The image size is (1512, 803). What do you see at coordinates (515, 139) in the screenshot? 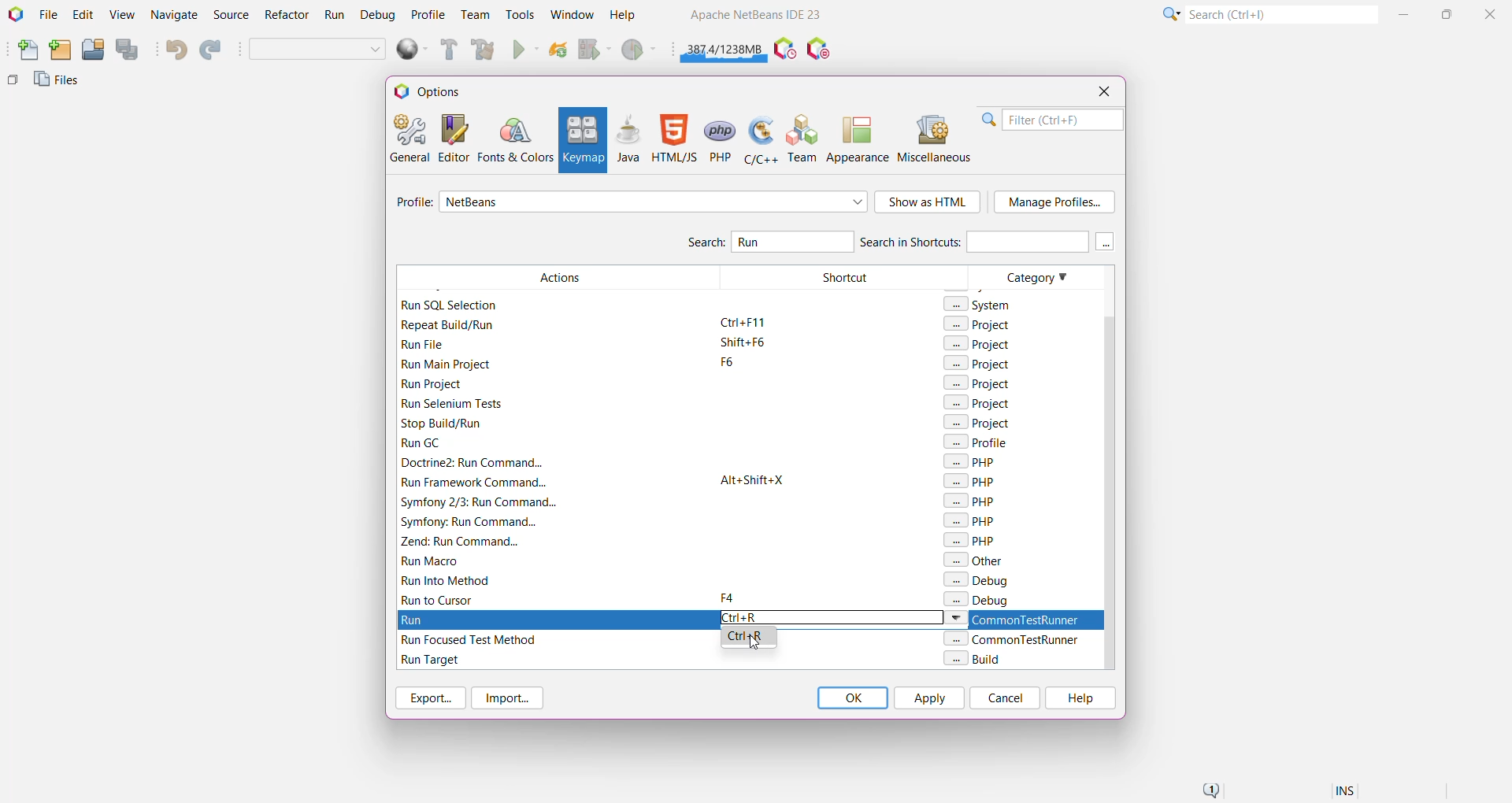
I see `Fonts and Colors` at bounding box center [515, 139].